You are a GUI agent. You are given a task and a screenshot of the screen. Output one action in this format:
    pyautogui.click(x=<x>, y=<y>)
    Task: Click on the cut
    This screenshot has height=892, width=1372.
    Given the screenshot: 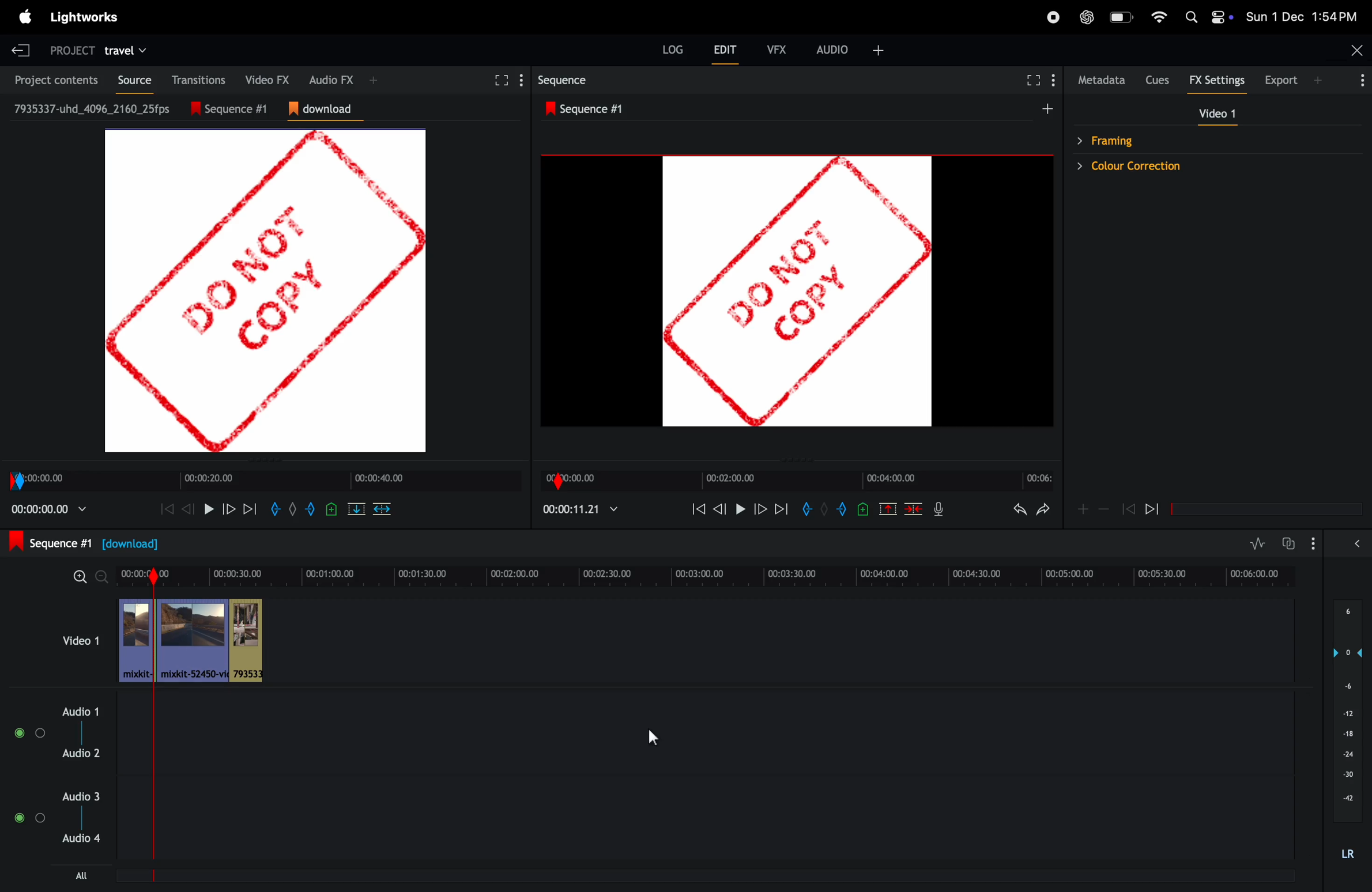 What is the action you would take?
    pyautogui.click(x=356, y=509)
    